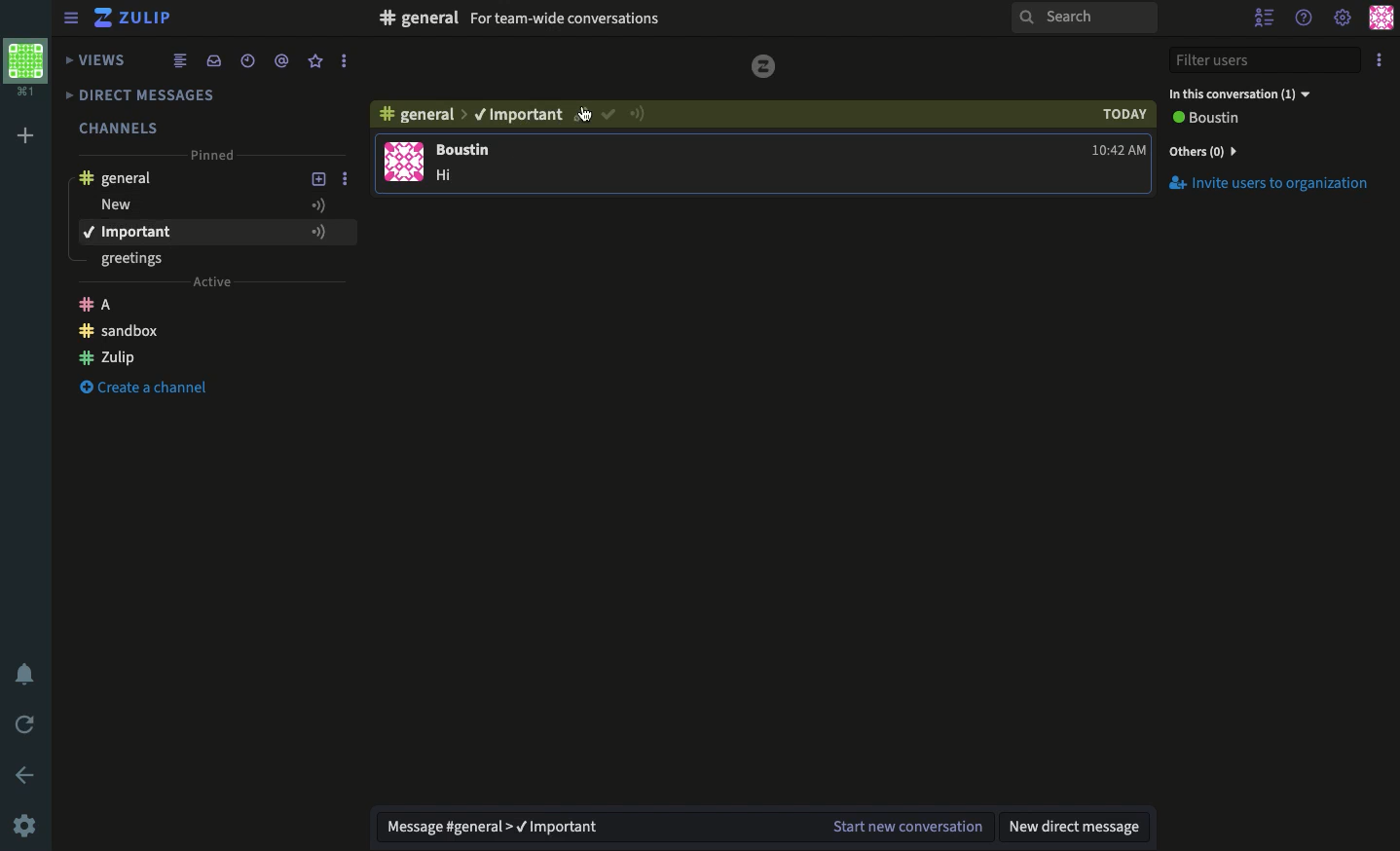  Describe the element at coordinates (686, 825) in the screenshot. I see `Message` at that location.